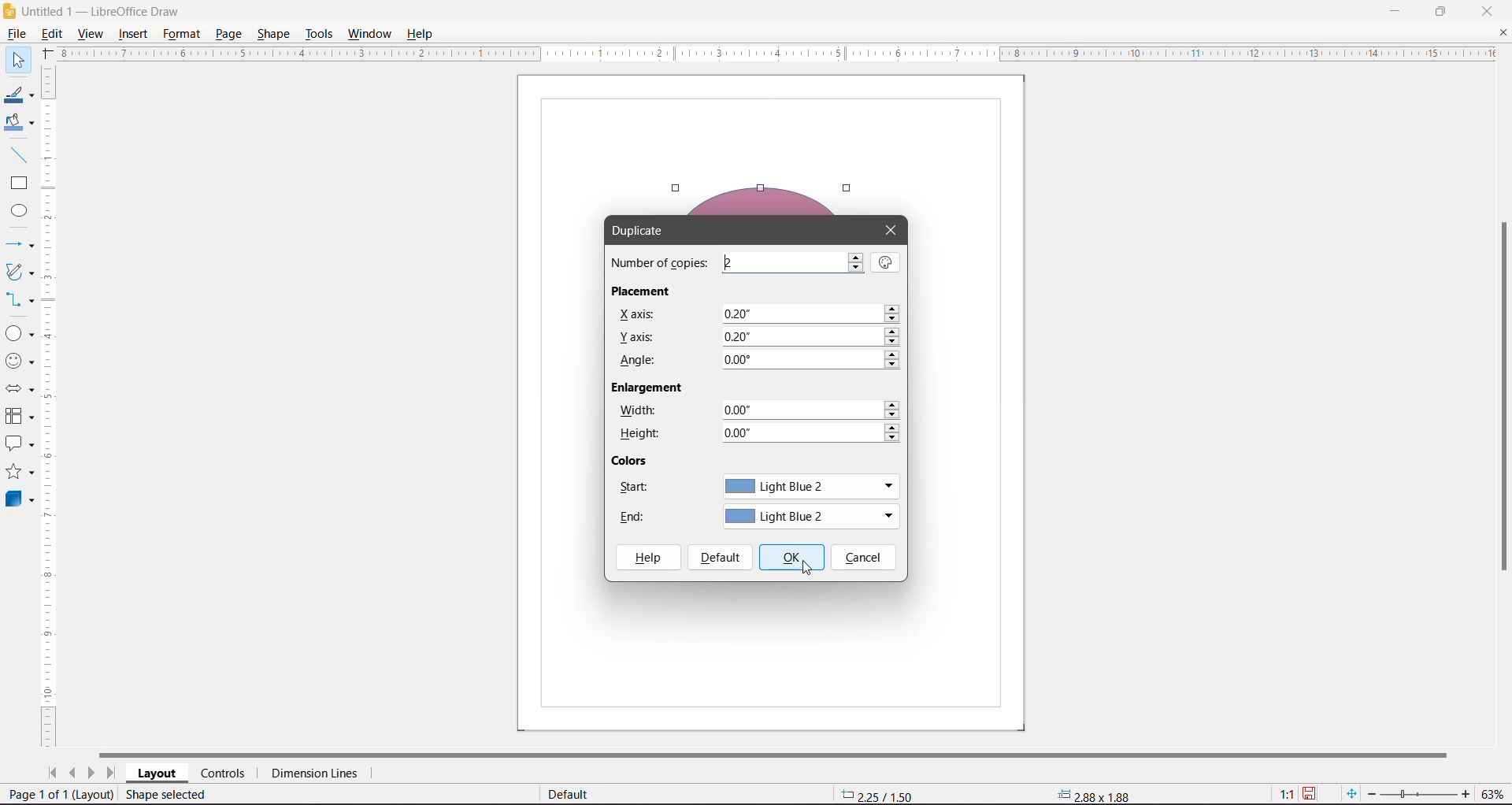 This screenshot has width=1512, height=805. What do you see at coordinates (22, 363) in the screenshot?
I see `Symbol Shapes` at bounding box center [22, 363].